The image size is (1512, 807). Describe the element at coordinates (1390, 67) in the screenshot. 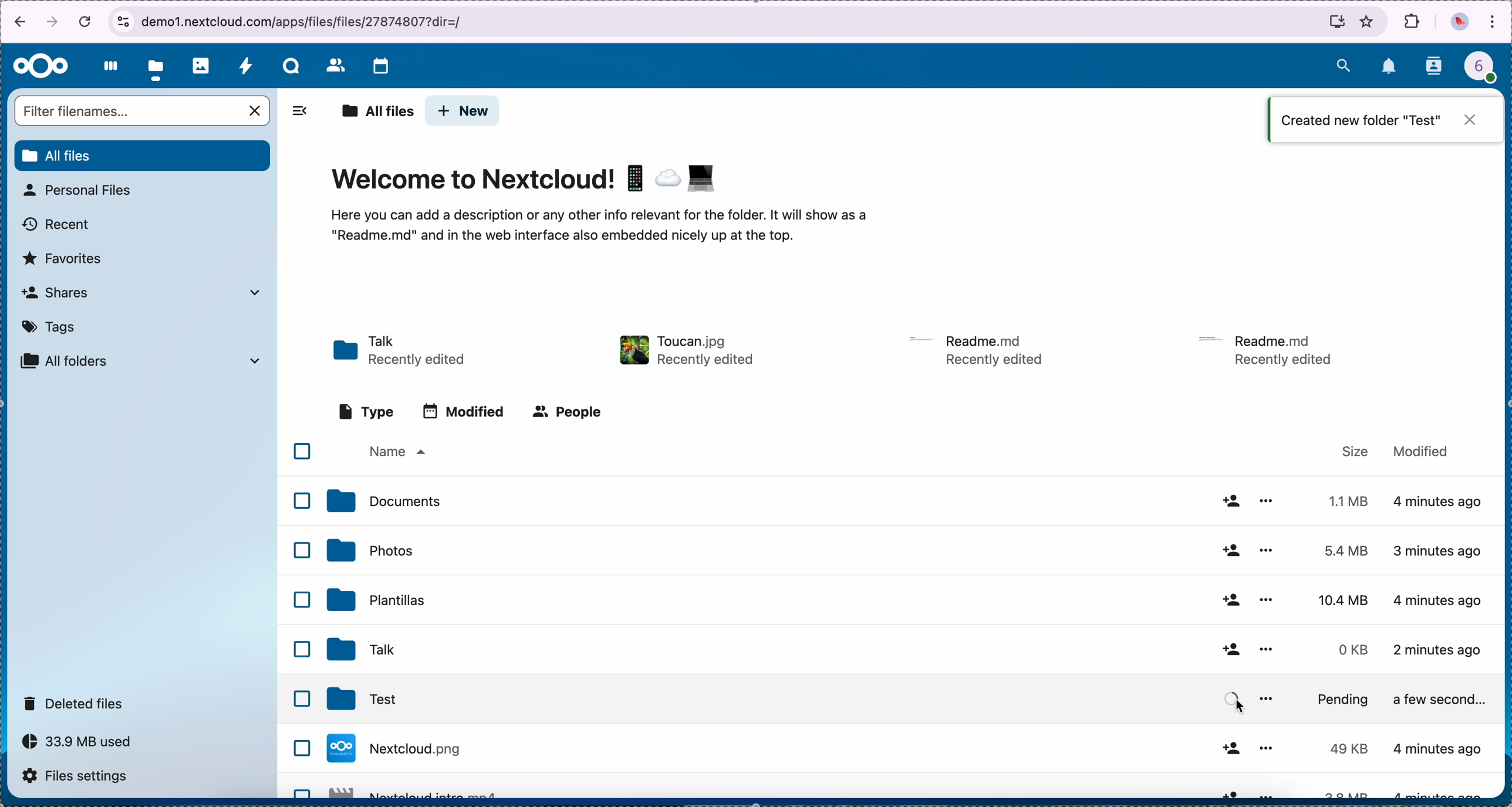

I see `notifications` at that location.